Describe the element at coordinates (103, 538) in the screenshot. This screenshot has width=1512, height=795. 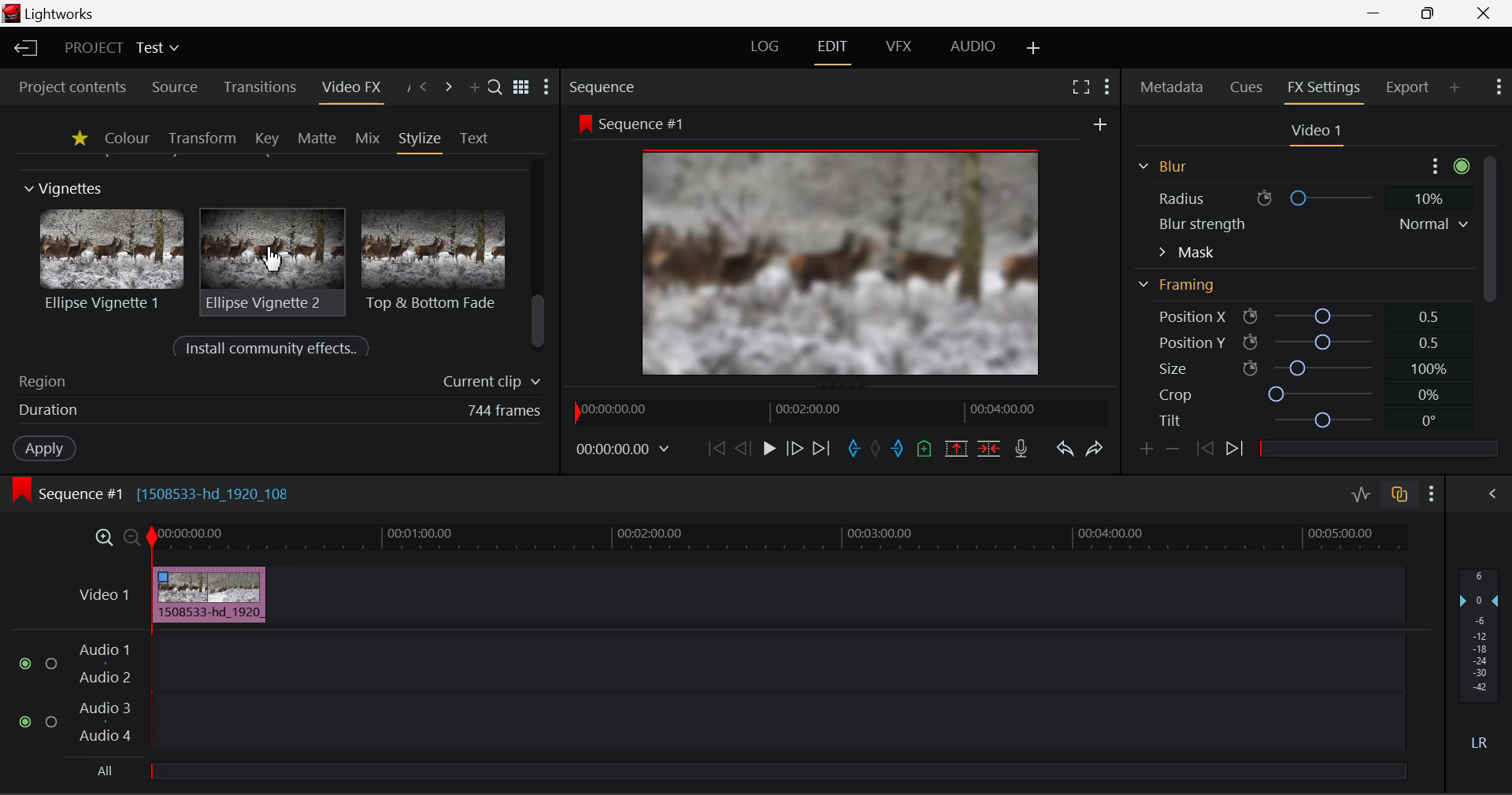
I see `Timeline Zoom In` at that location.